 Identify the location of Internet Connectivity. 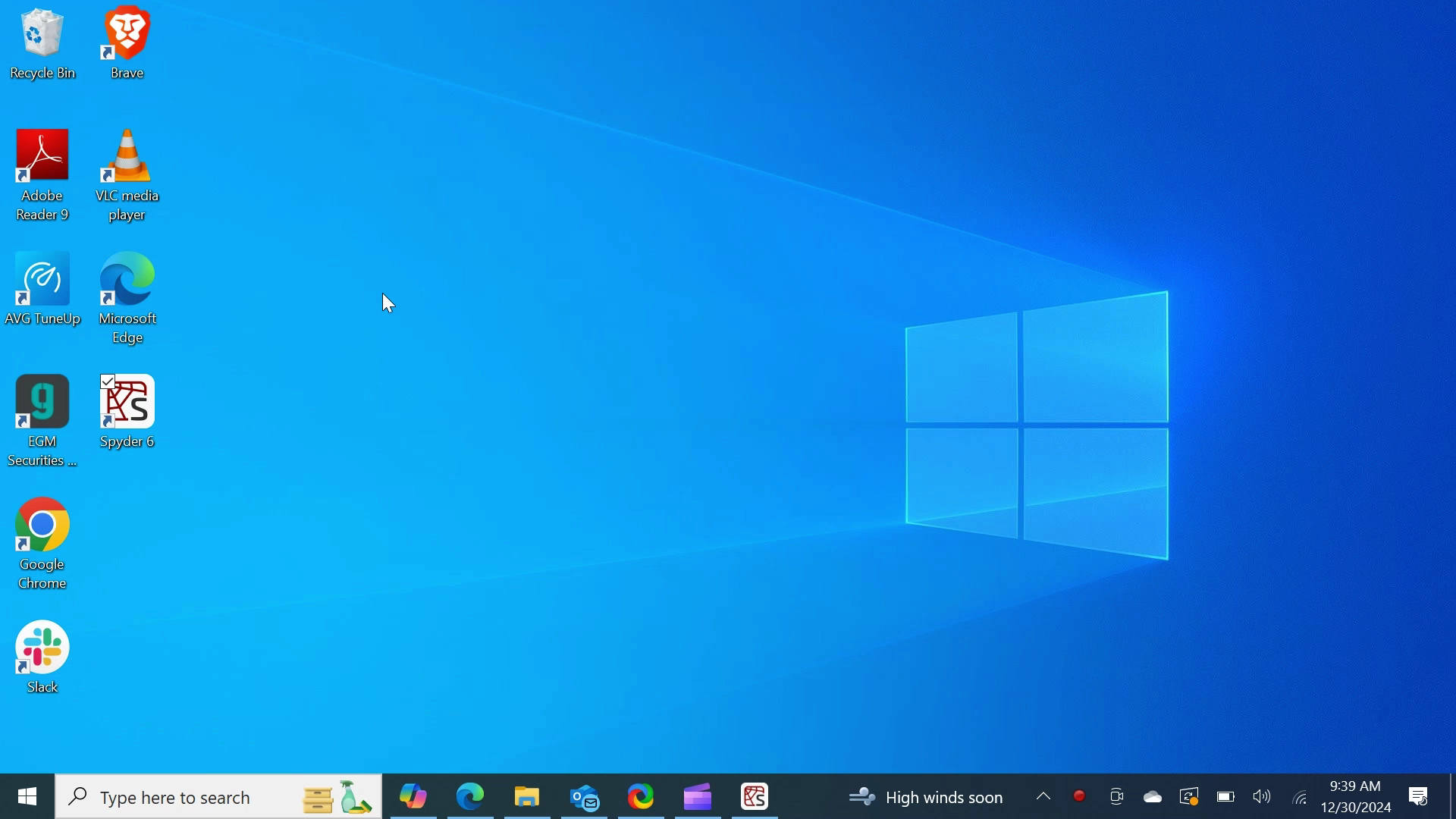
(1298, 795).